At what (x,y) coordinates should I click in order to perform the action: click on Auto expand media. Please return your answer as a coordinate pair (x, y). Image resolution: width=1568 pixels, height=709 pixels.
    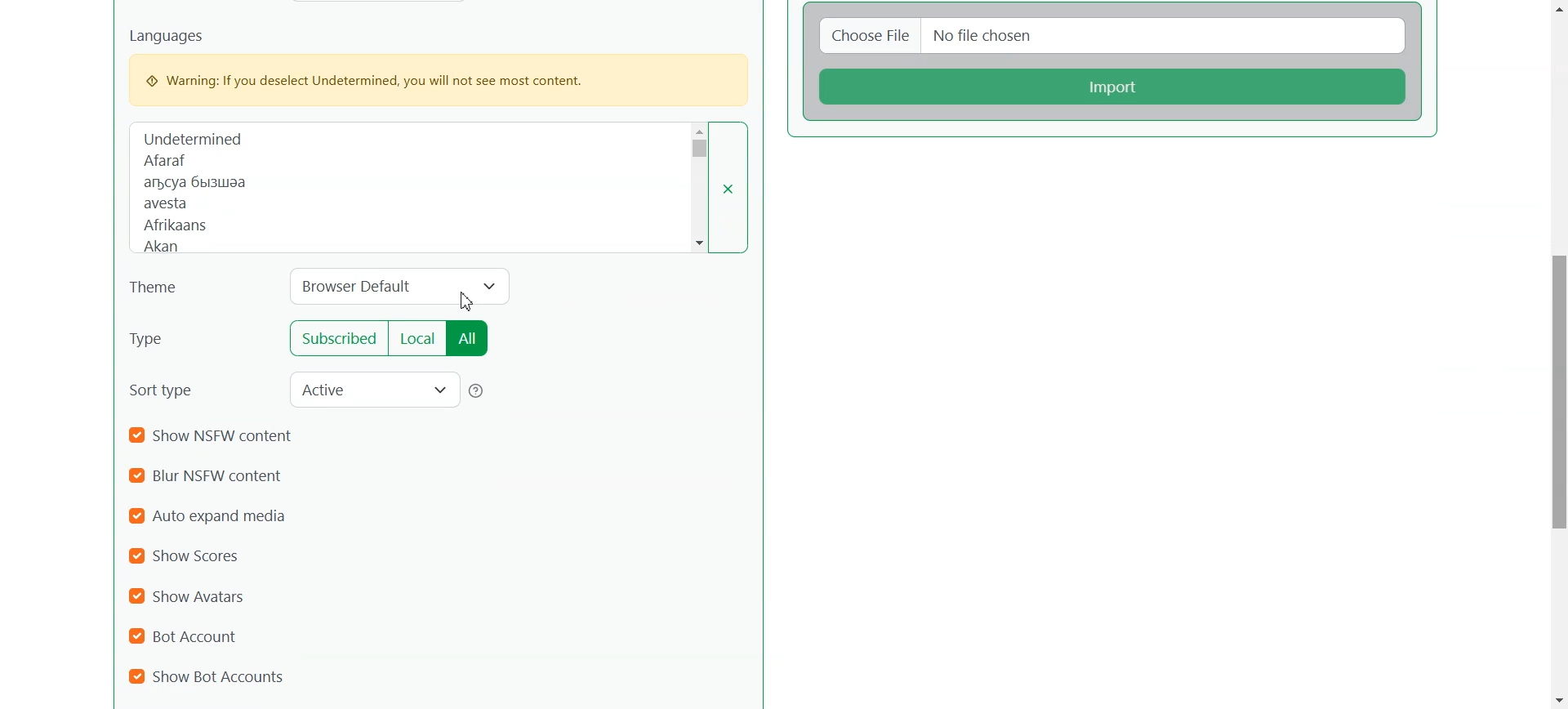
    Looking at the image, I should click on (216, 515).